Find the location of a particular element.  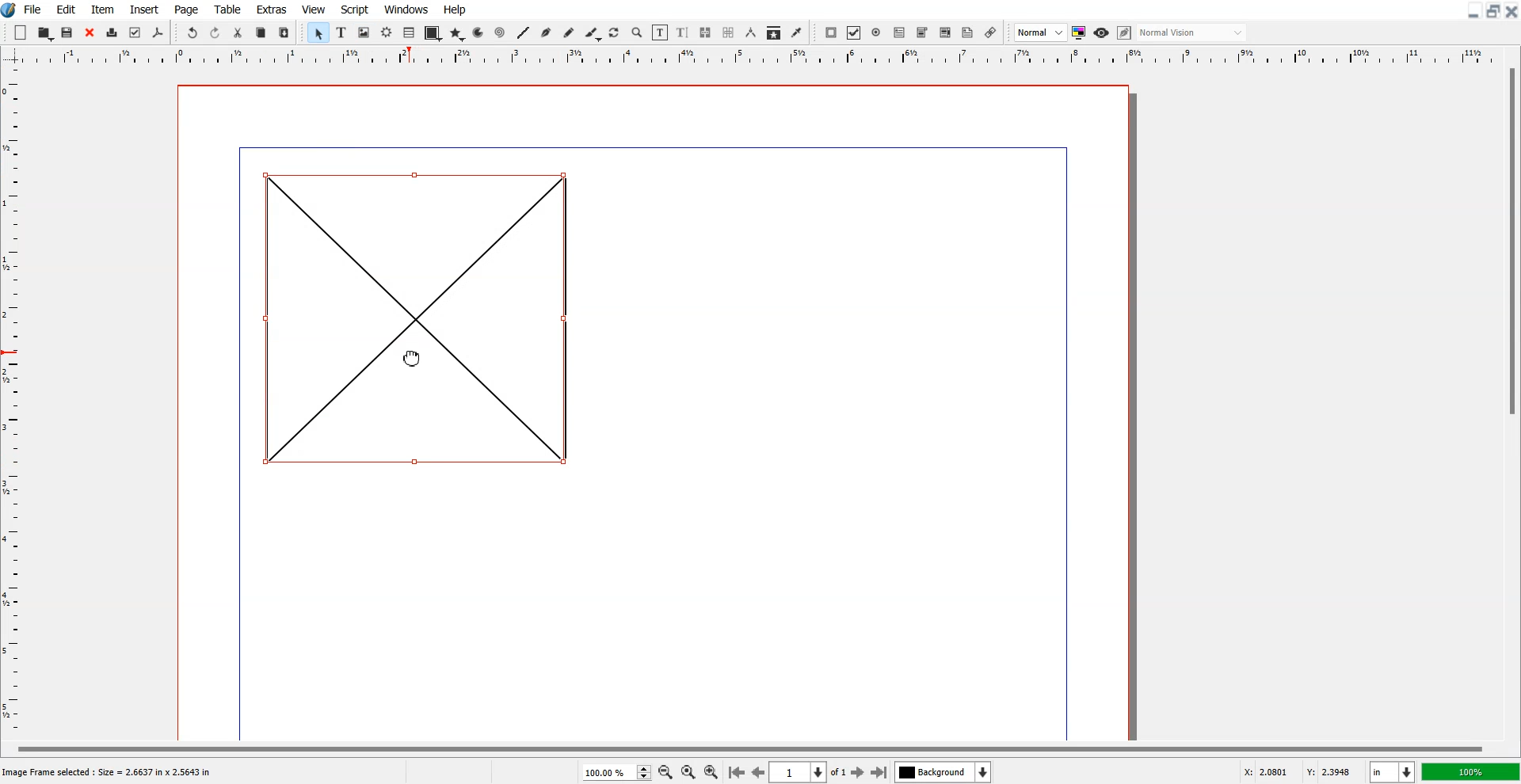

Text Annotation is located at coordinates (968, 33).